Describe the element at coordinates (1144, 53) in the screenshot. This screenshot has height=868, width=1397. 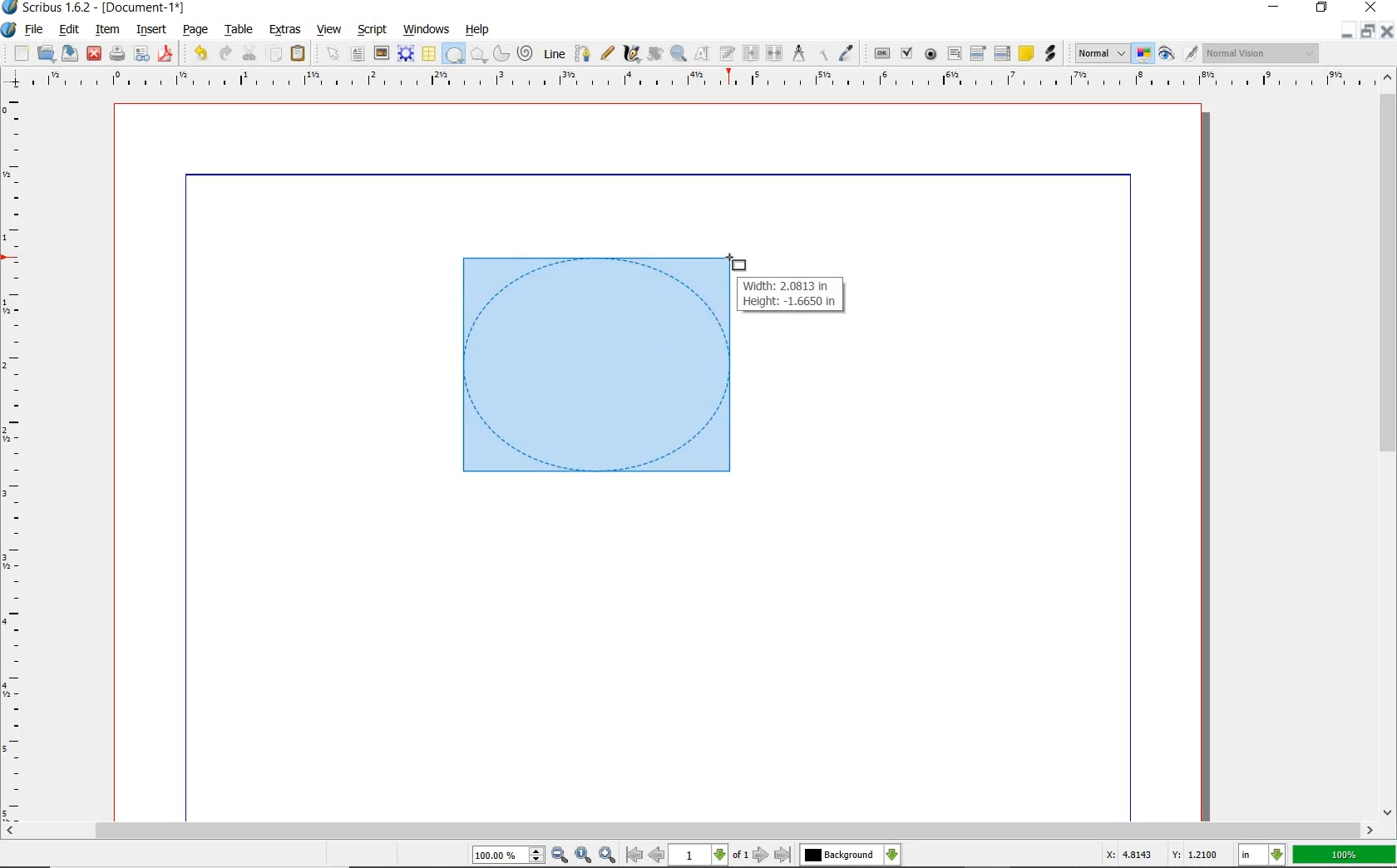
I see `TOGGLE COLOR MANAGEMENT SYSTEM` at that location.